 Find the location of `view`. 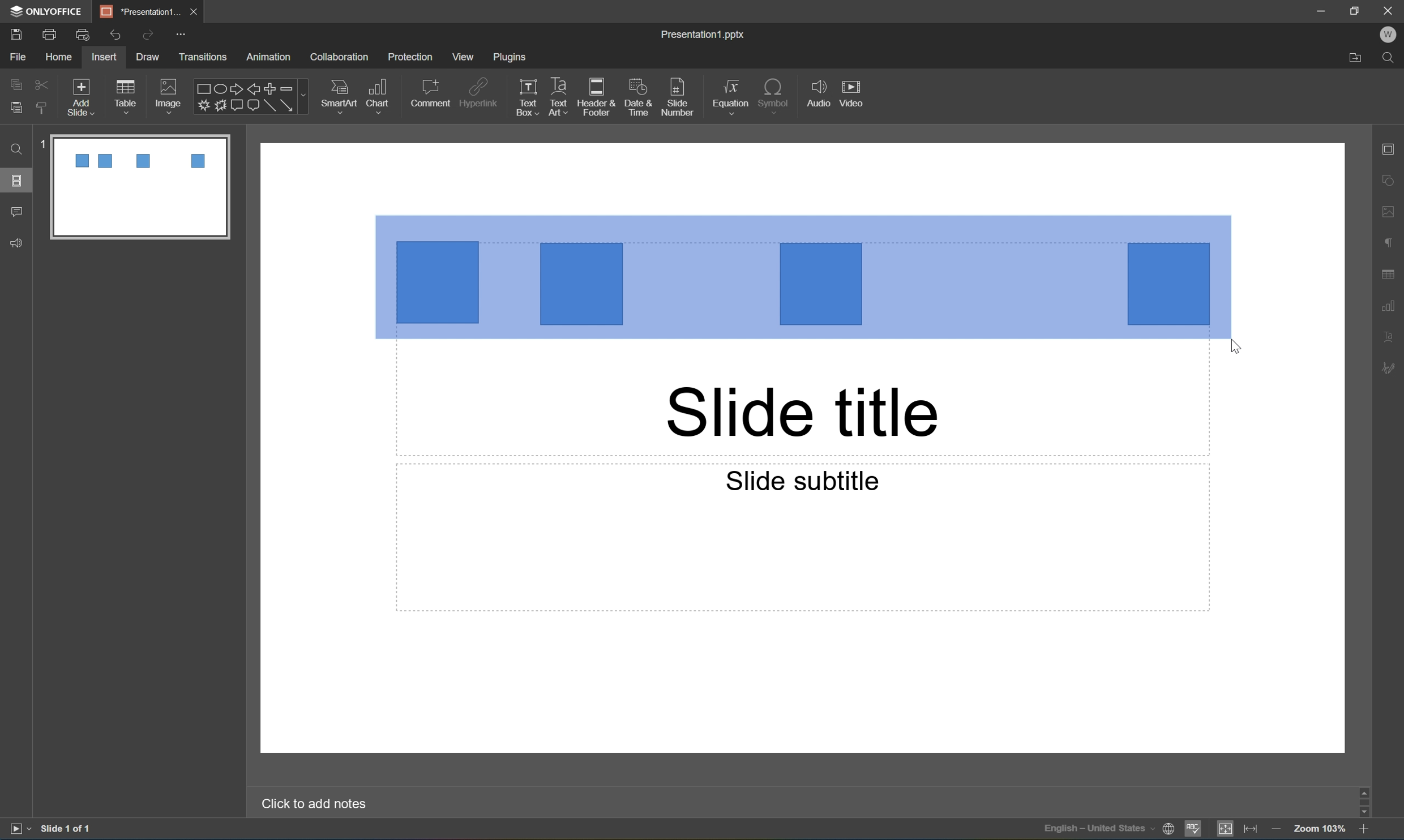

view is located at coordinates (461, 57).